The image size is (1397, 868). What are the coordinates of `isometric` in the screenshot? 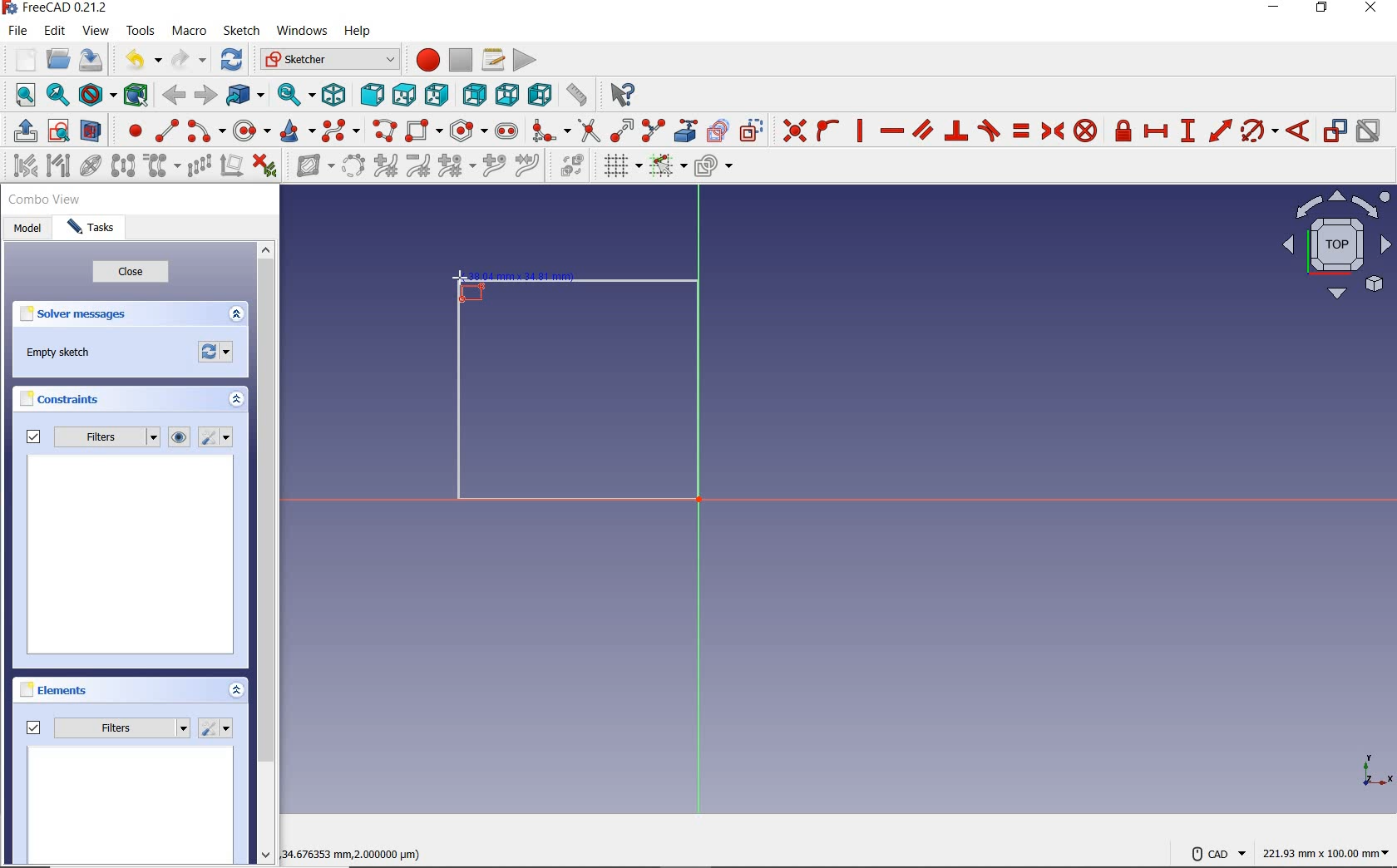 It's located at (333, 95).